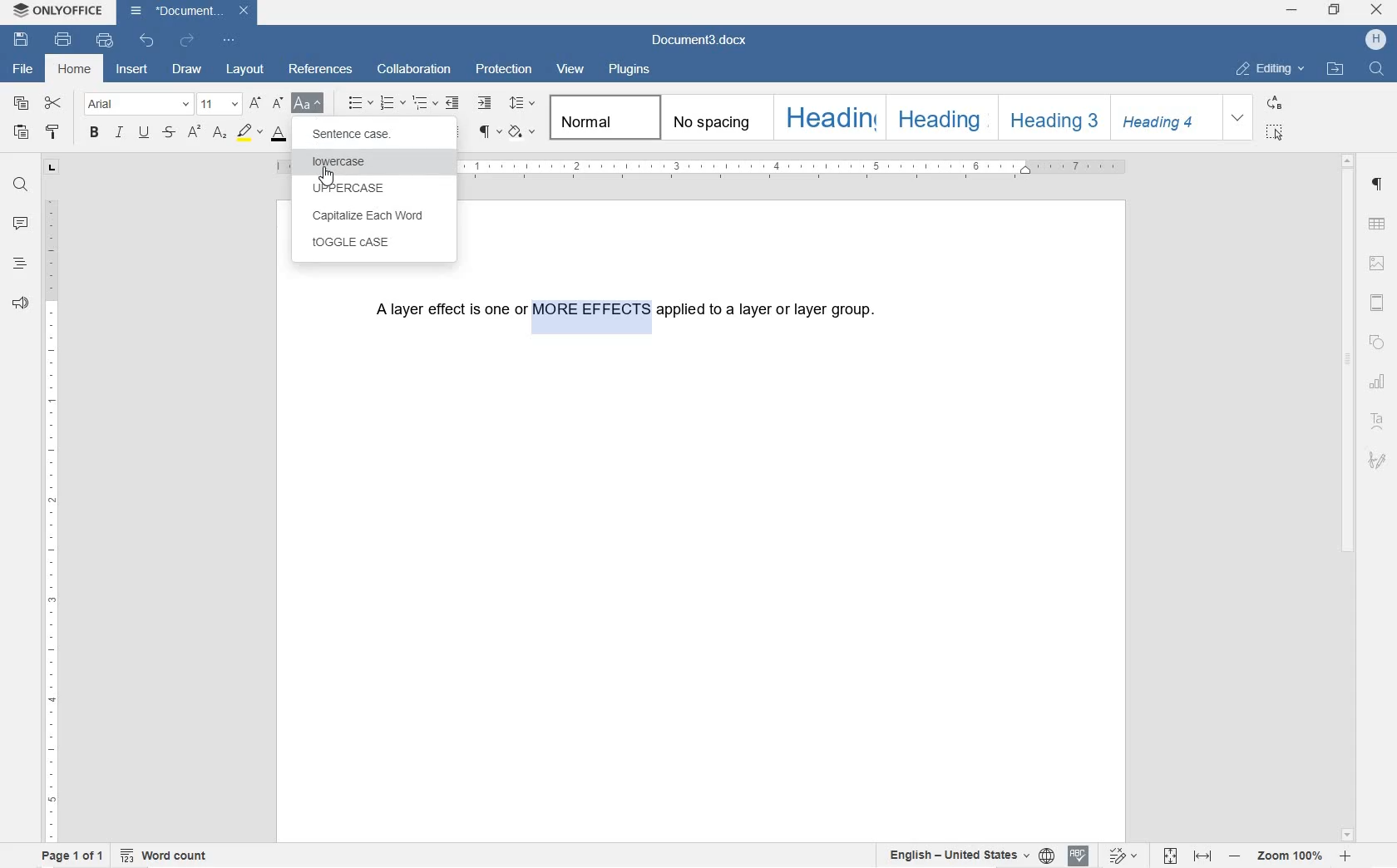  I want to click on SHADING, so click(523, 131).